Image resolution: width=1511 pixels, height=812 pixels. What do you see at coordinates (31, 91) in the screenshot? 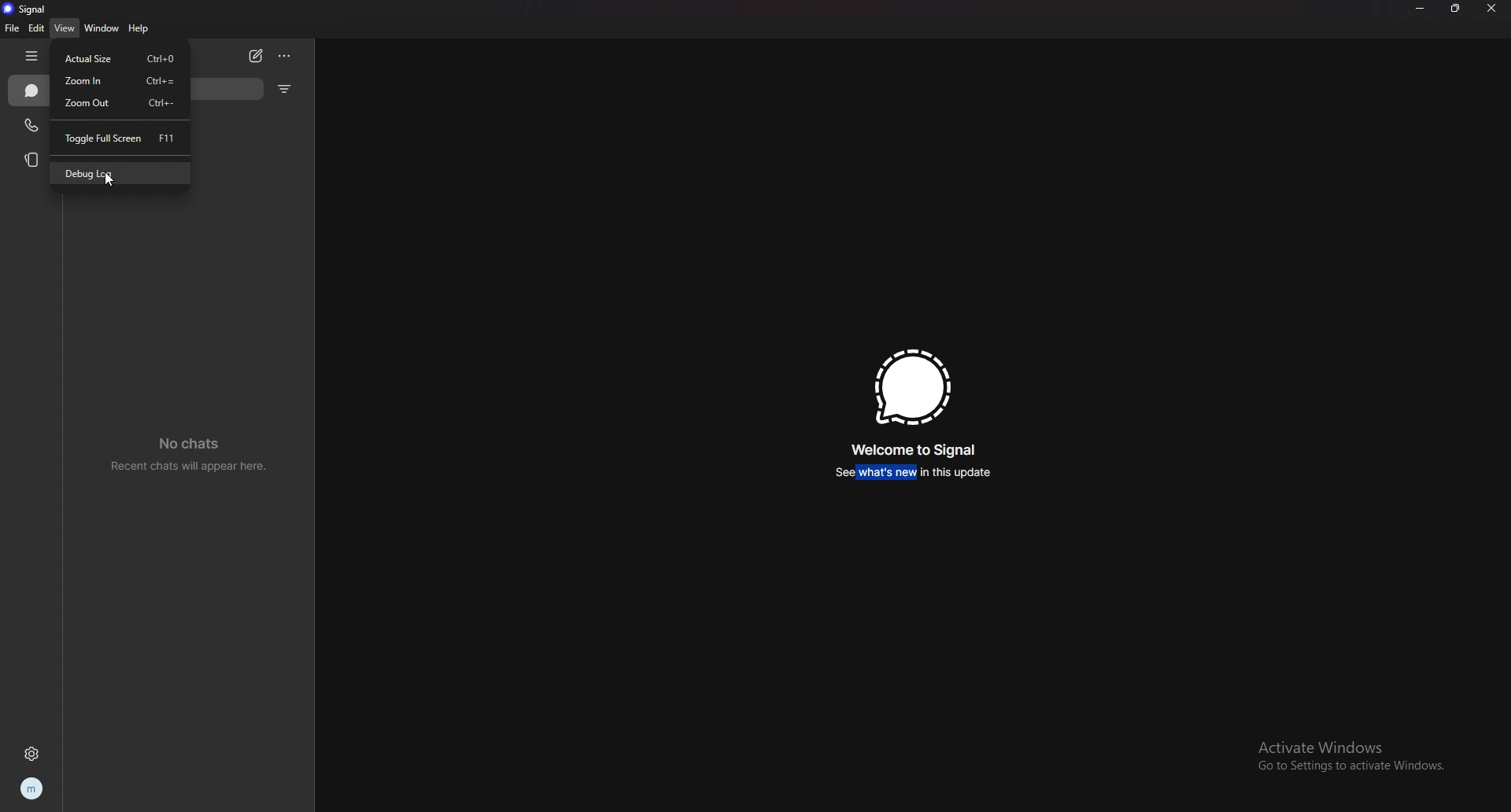
I see `chats` at bounding box center [31, 91].